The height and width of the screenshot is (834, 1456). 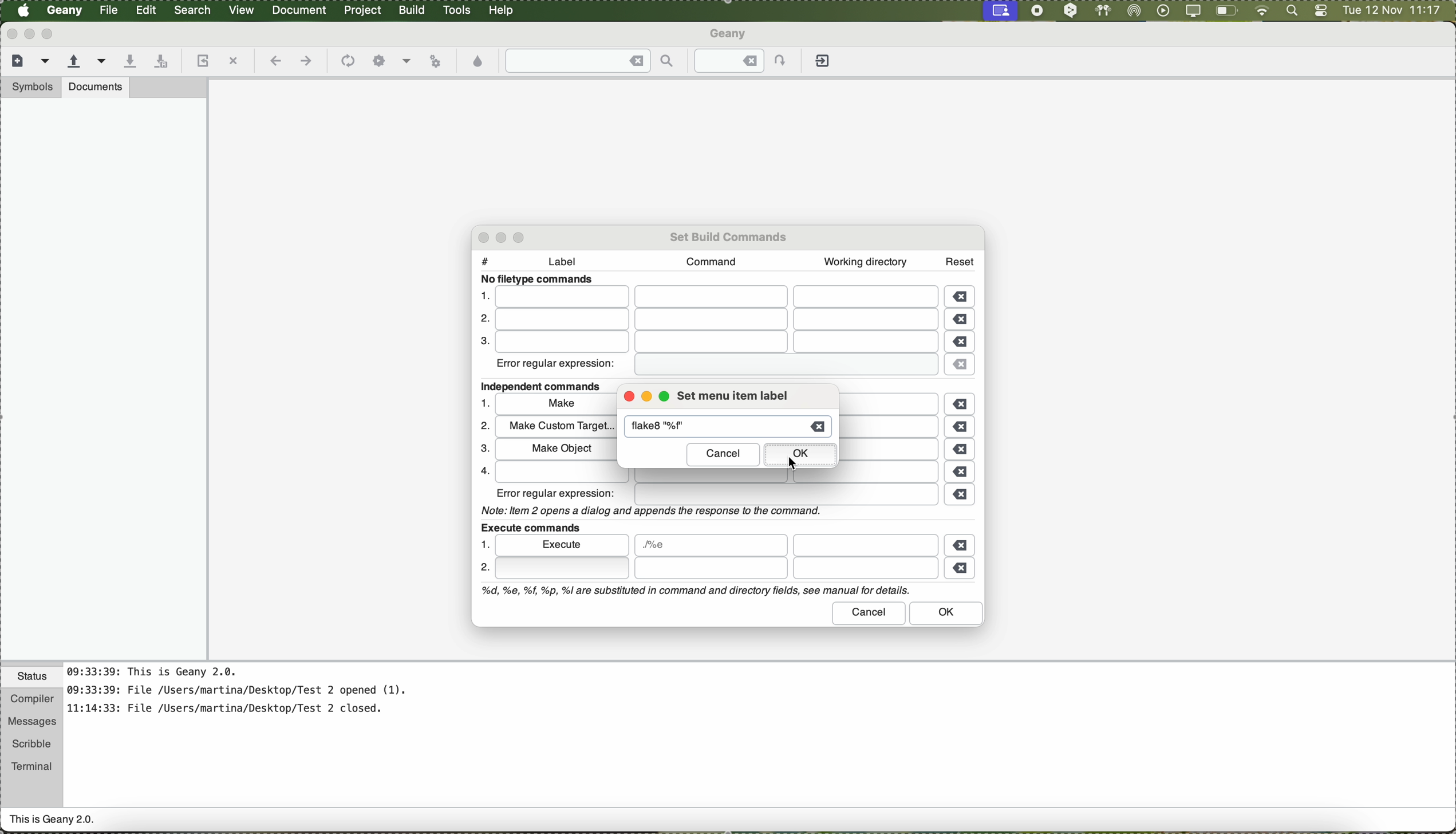 What do you see at coordinates (786, 495) in the screenshot?
I see `file` at bounding box center [786, 495].